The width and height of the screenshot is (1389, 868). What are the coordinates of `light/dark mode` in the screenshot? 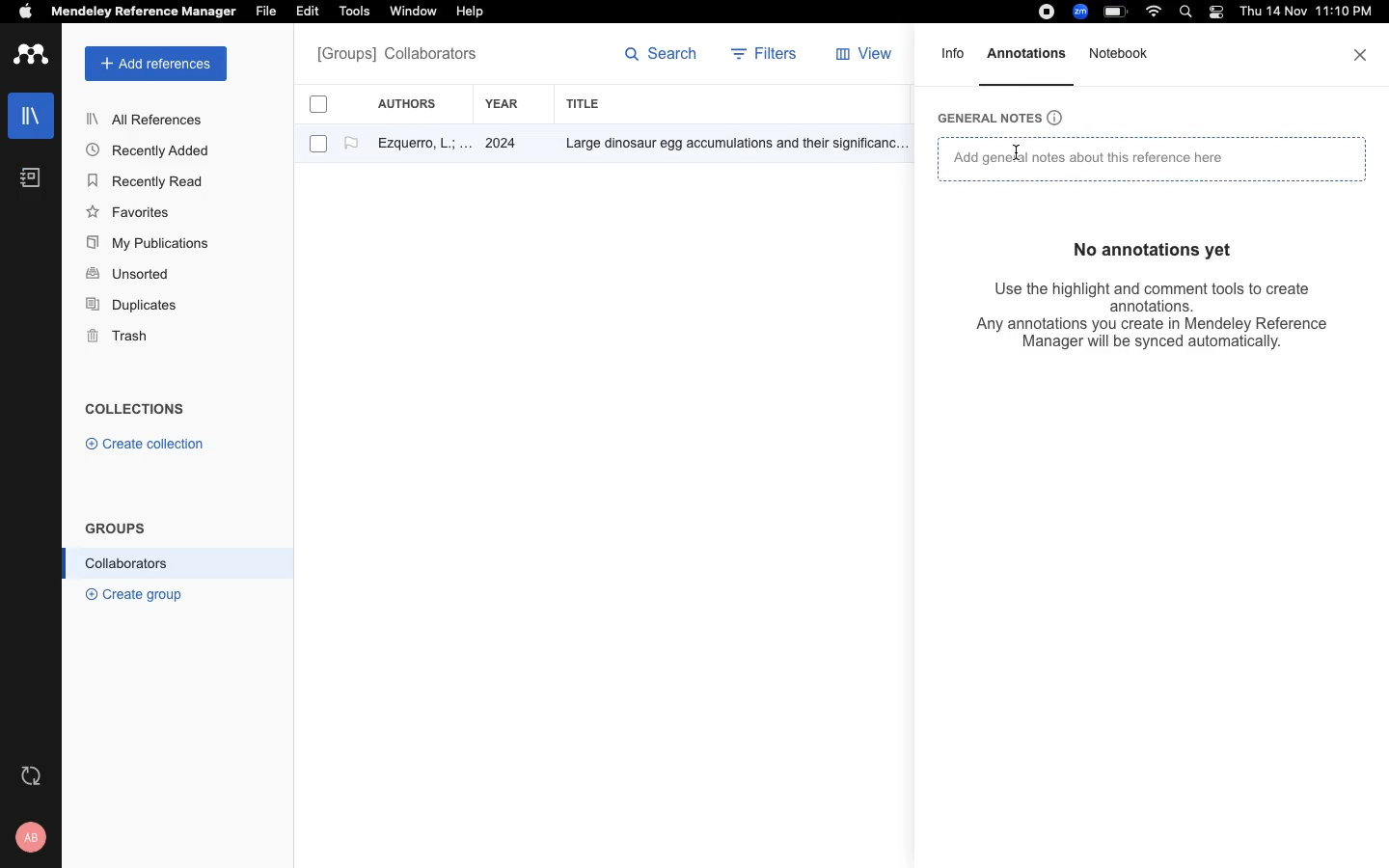 It's located at (1215, 12).